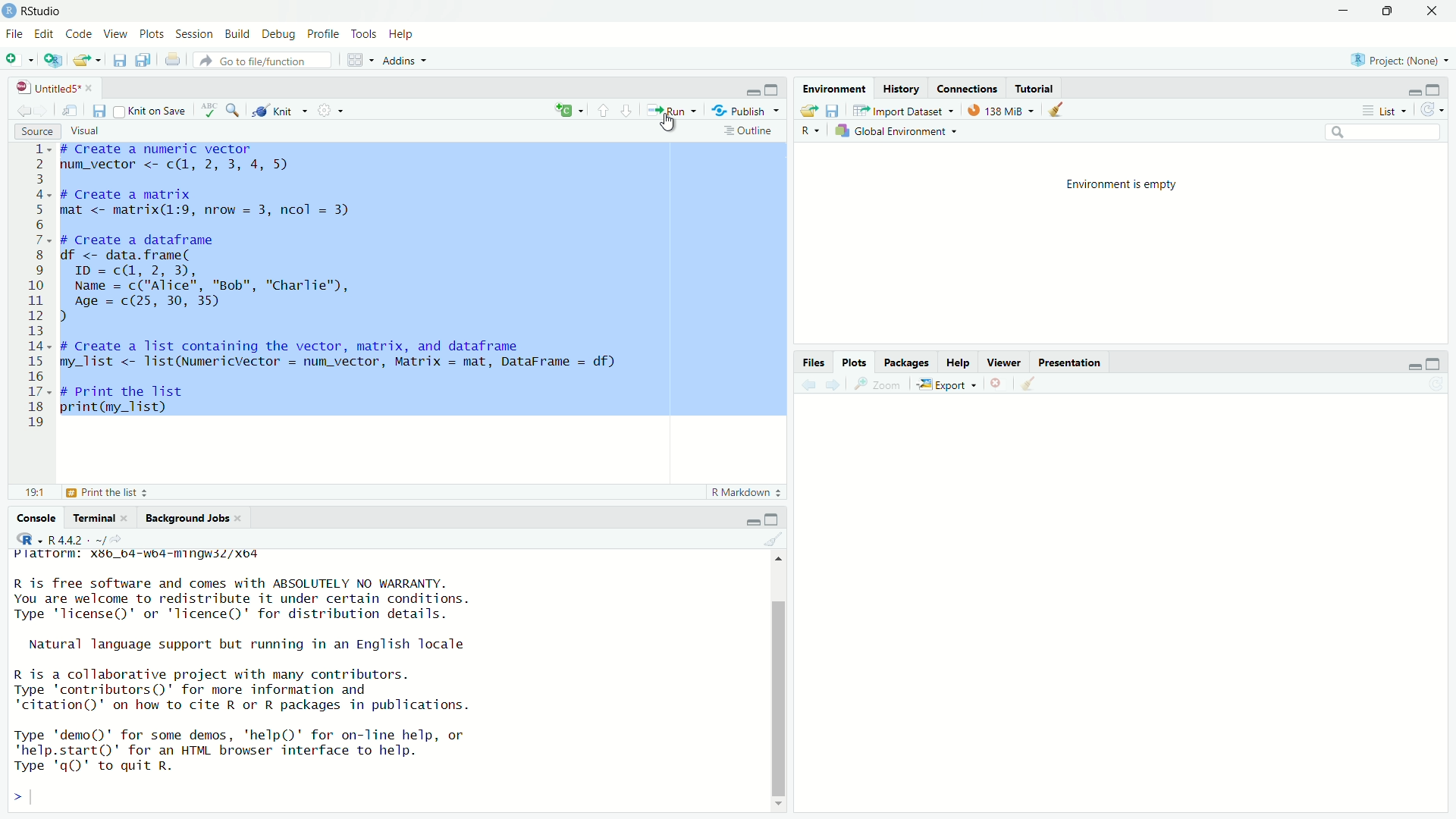  What do you see at coordinates (43, 11) in the screenshot?
I see `RStudio` at bounding box center [43, 11].